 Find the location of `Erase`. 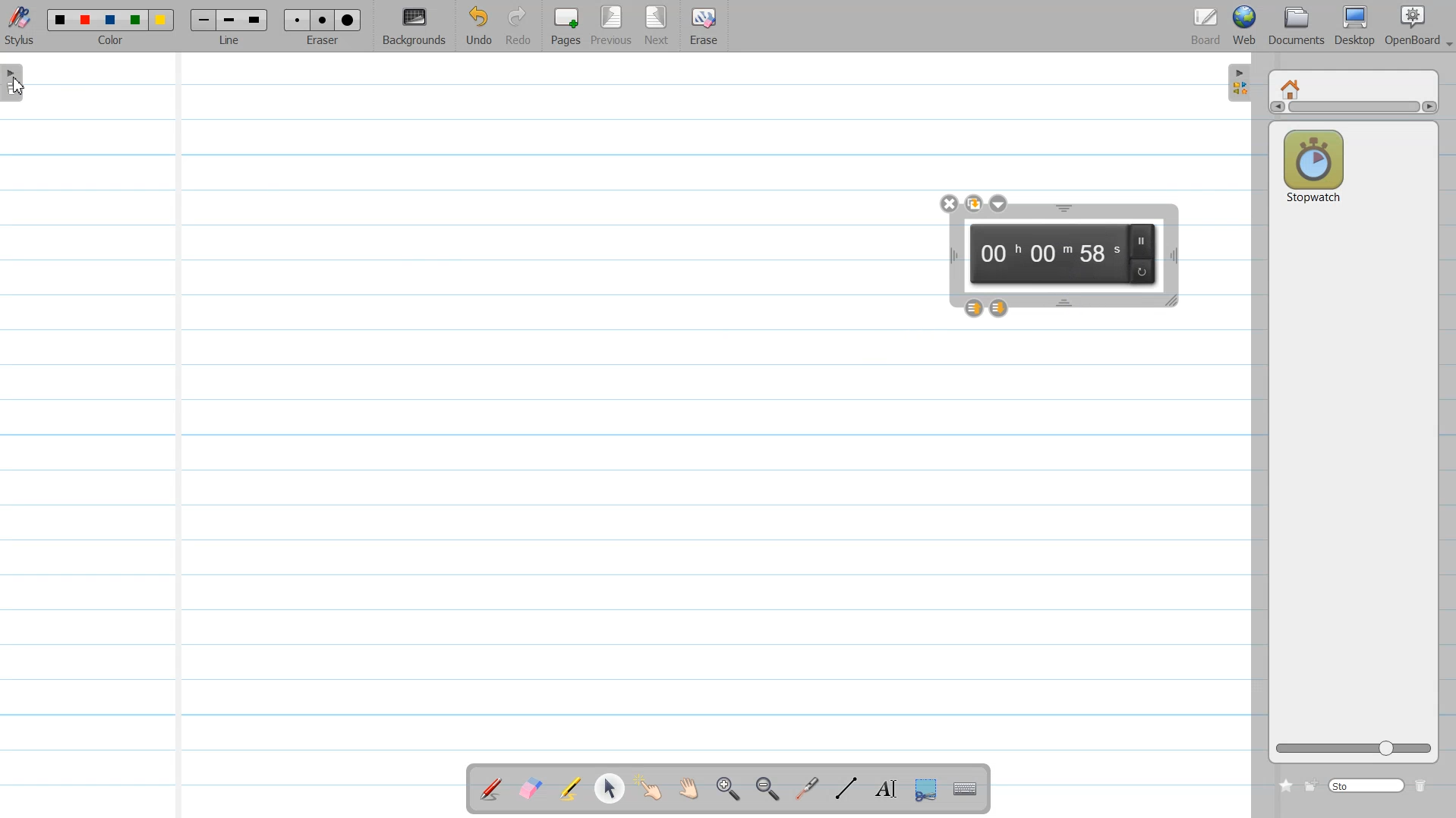

Erase is located at coordinates (704, 27).